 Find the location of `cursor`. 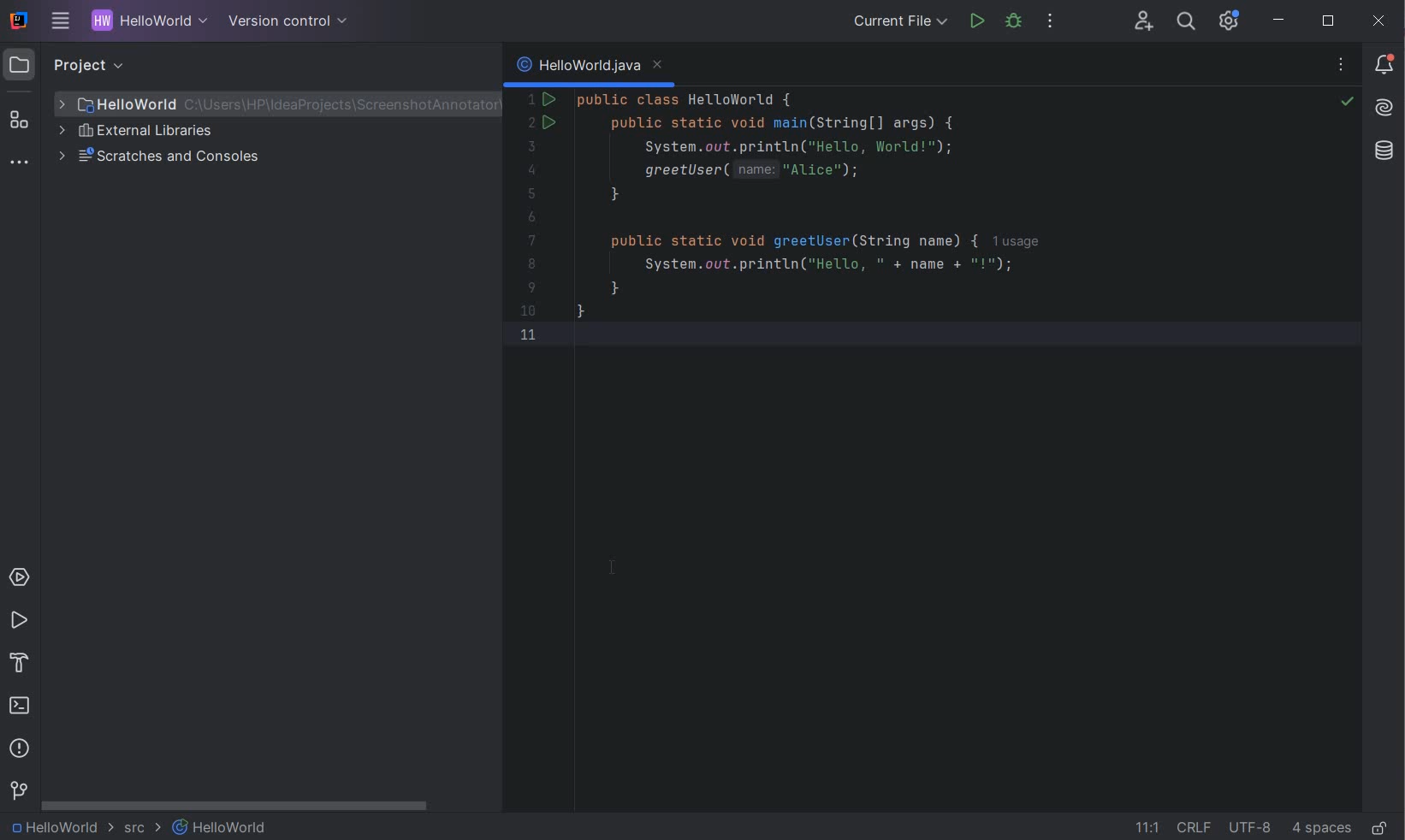

cursor is located at coordinates (615, 568).